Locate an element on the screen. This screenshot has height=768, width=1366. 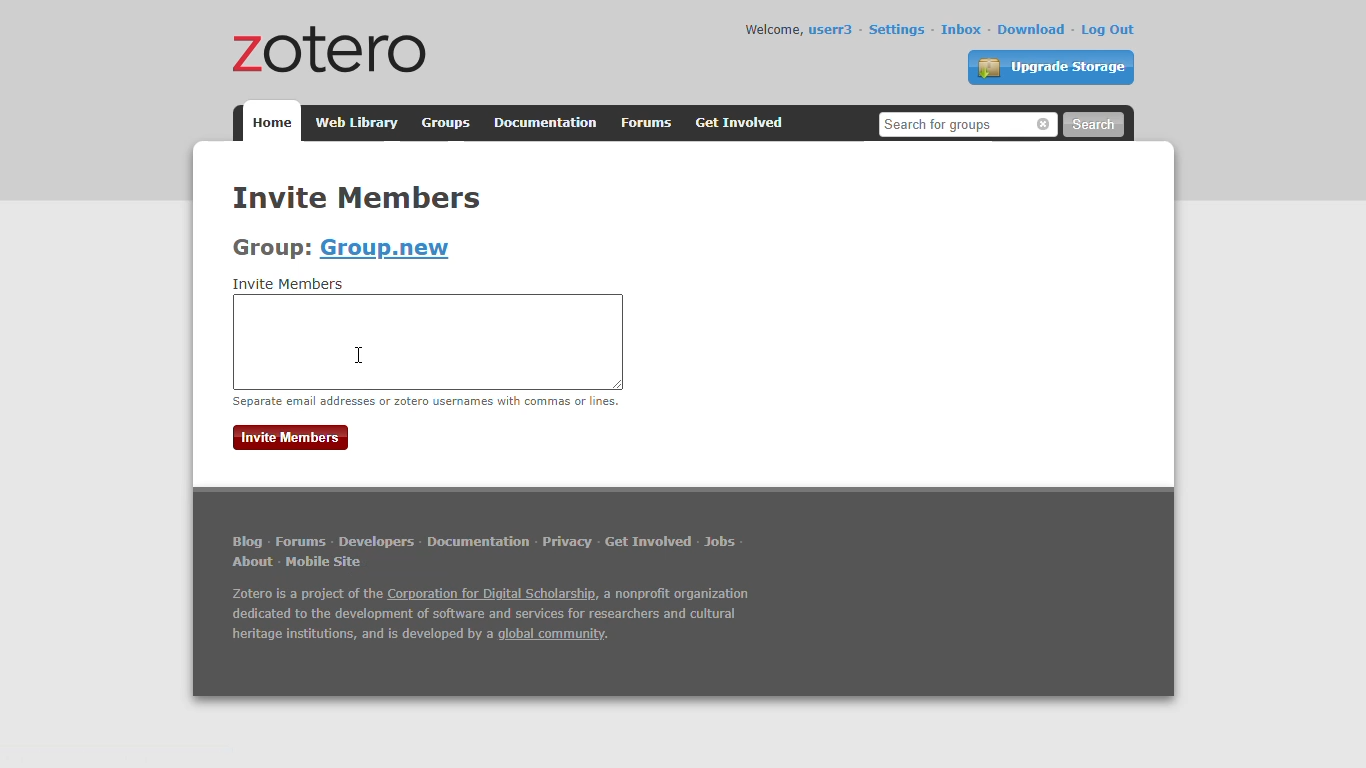
jobs is located at coordinates (721, 542).